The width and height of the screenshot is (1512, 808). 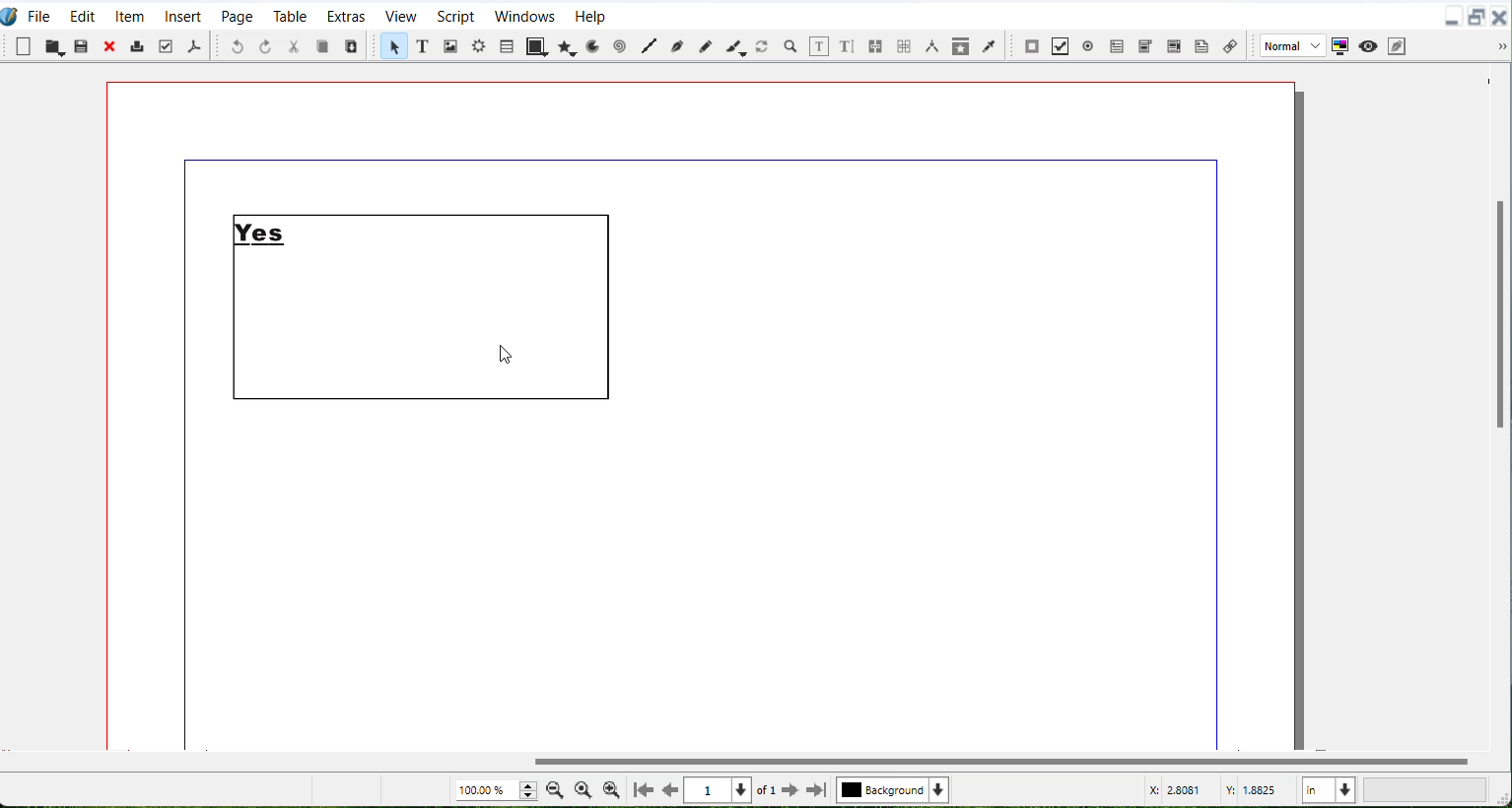 I want to click on Bezier Curve, so click(x=675, y=47).